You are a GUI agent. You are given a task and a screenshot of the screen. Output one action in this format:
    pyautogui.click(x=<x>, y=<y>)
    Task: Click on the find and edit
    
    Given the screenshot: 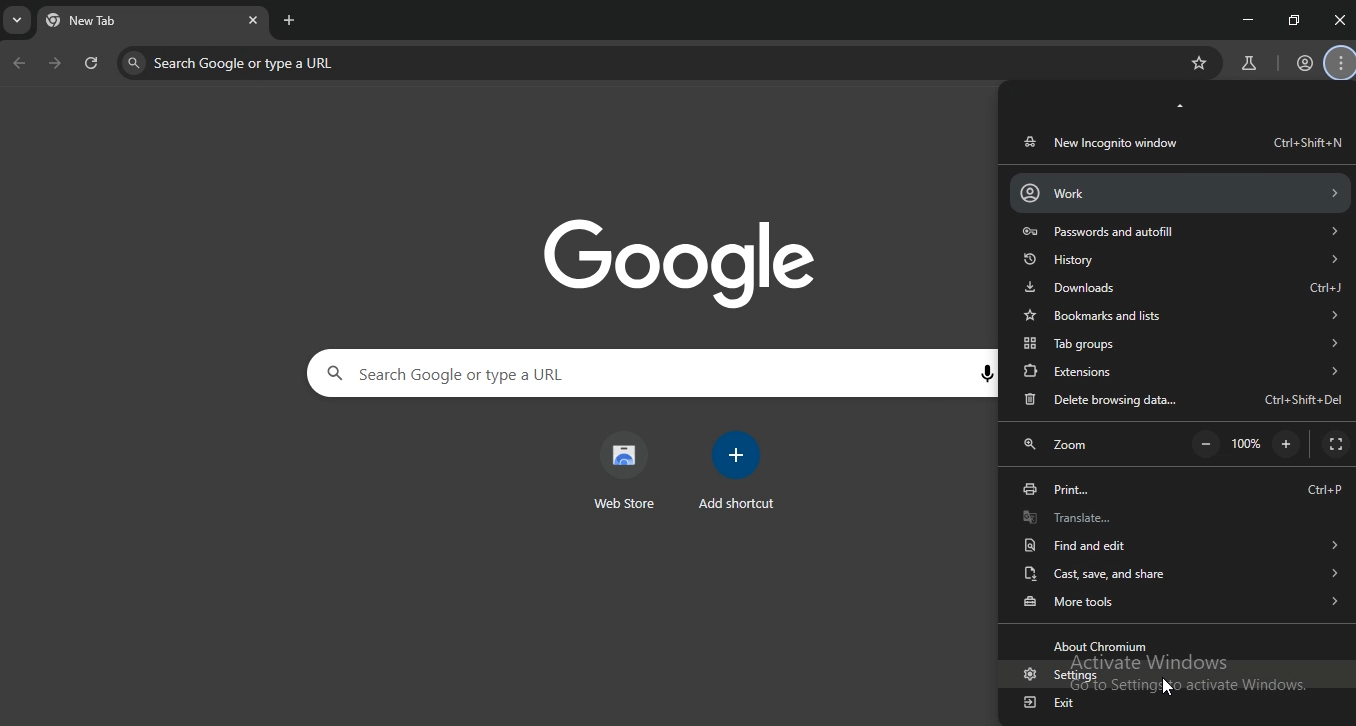 What is the action you would take?
    pyautogui.click(x=1177, y=543)
    